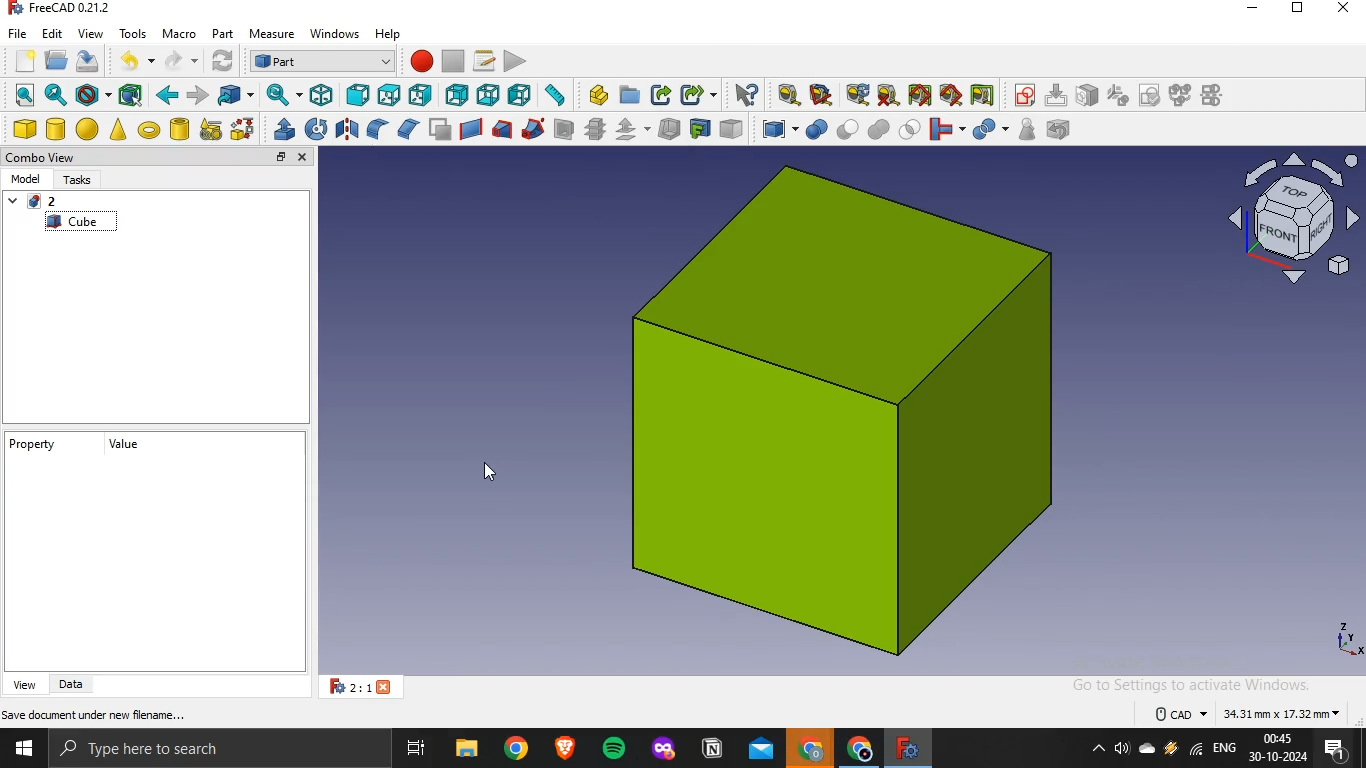  What do you see at coordinates (944, 127) in the screenshot?
I see `join objects` at bounding box center [944, 127].